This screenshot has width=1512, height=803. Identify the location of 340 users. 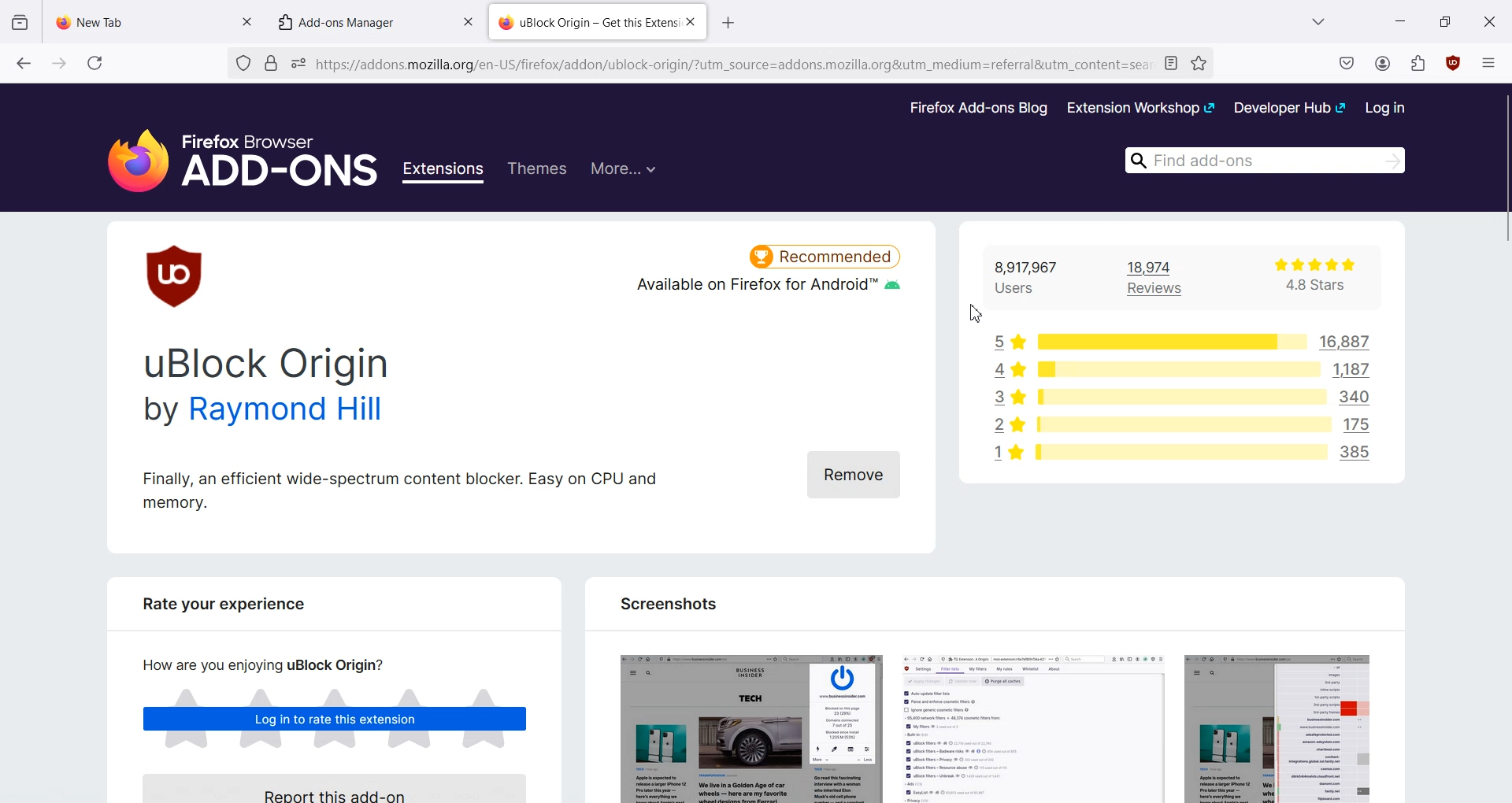
(1359, 397).